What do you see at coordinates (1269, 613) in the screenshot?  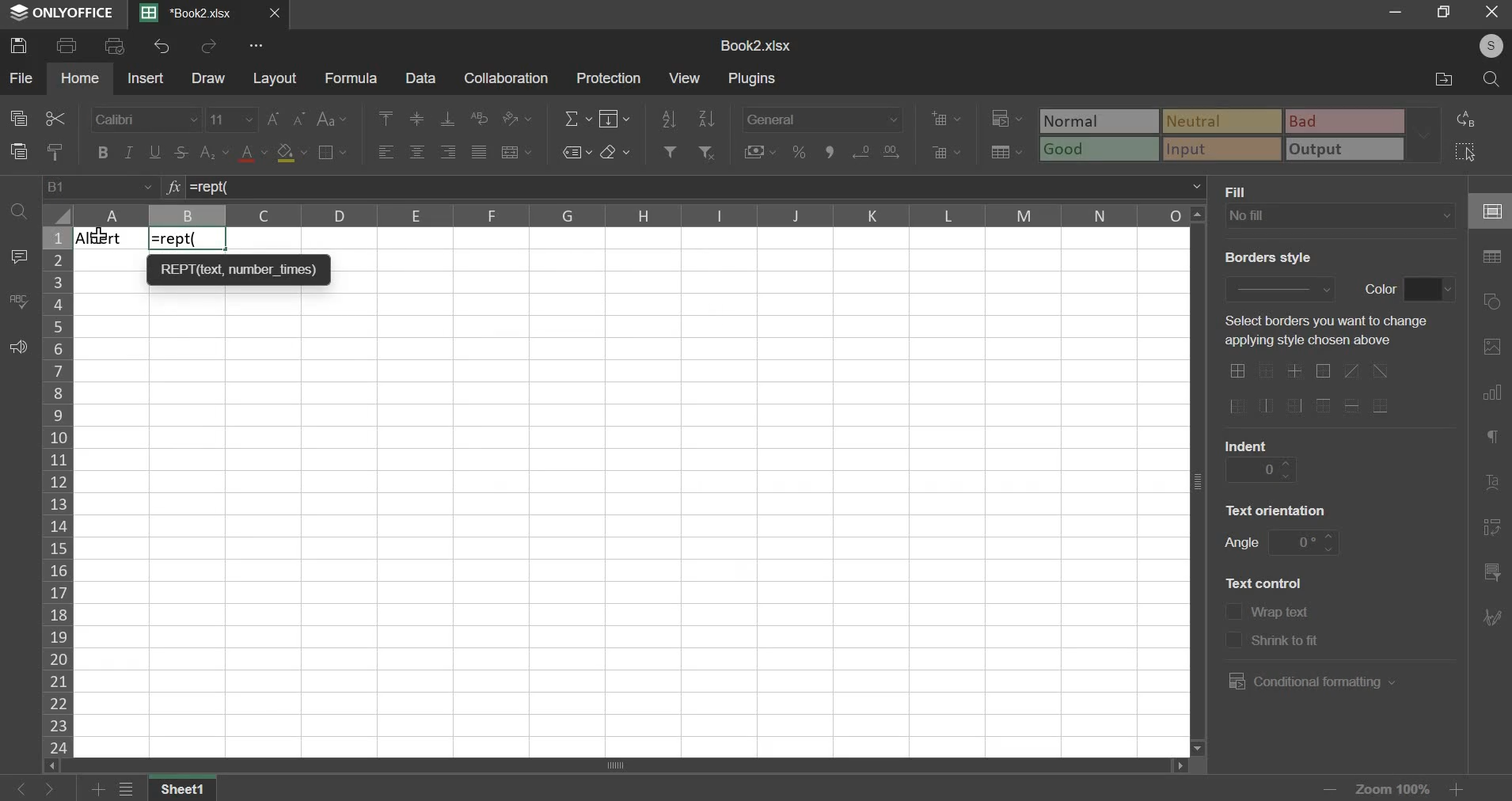 I see `wrap text` at bounding box center [1269, 613].